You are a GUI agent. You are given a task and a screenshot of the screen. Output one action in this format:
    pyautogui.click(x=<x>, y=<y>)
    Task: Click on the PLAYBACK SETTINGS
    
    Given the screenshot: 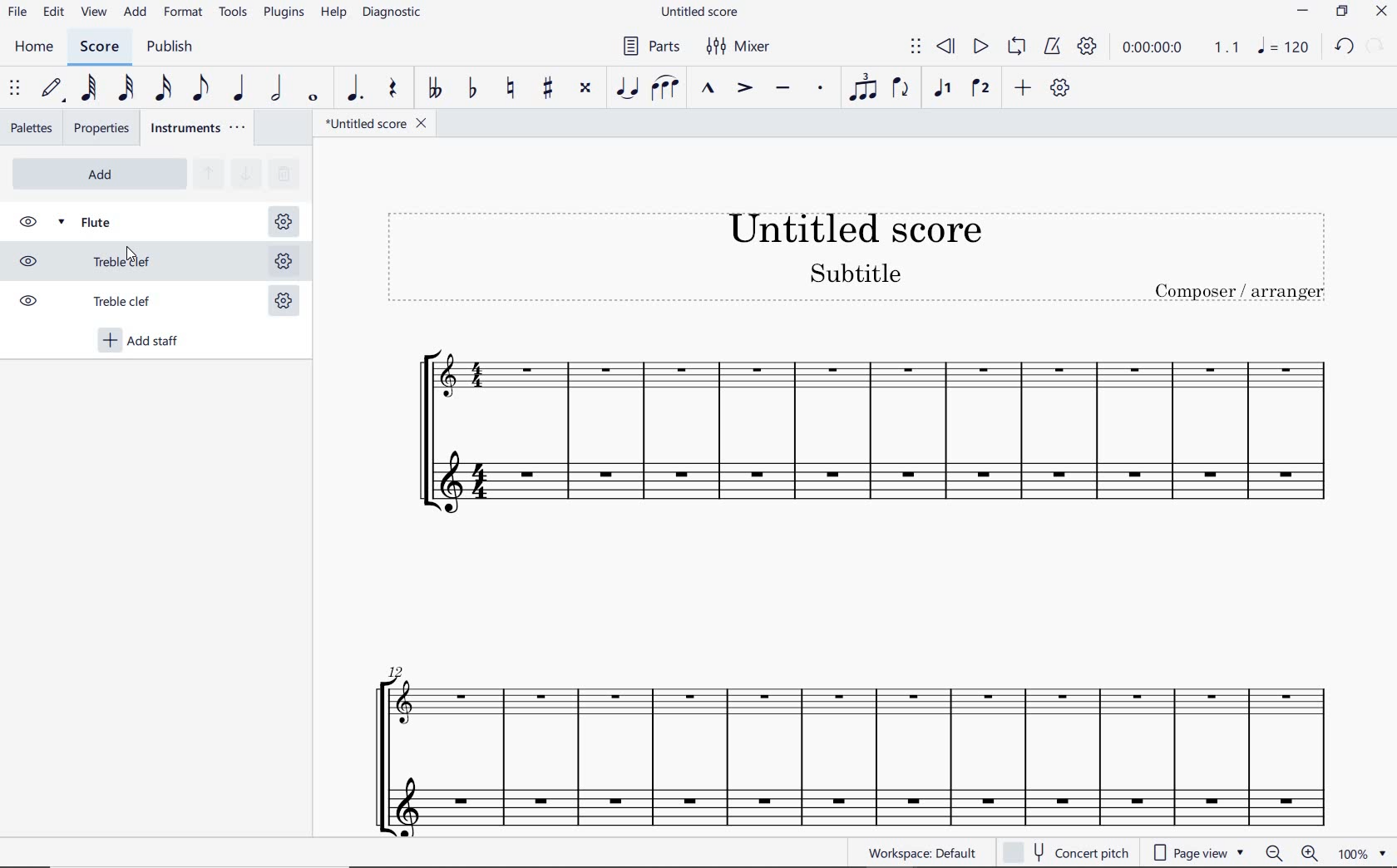 What is the action you would take?
    pyautogui.click(x=1087, y=47)
    